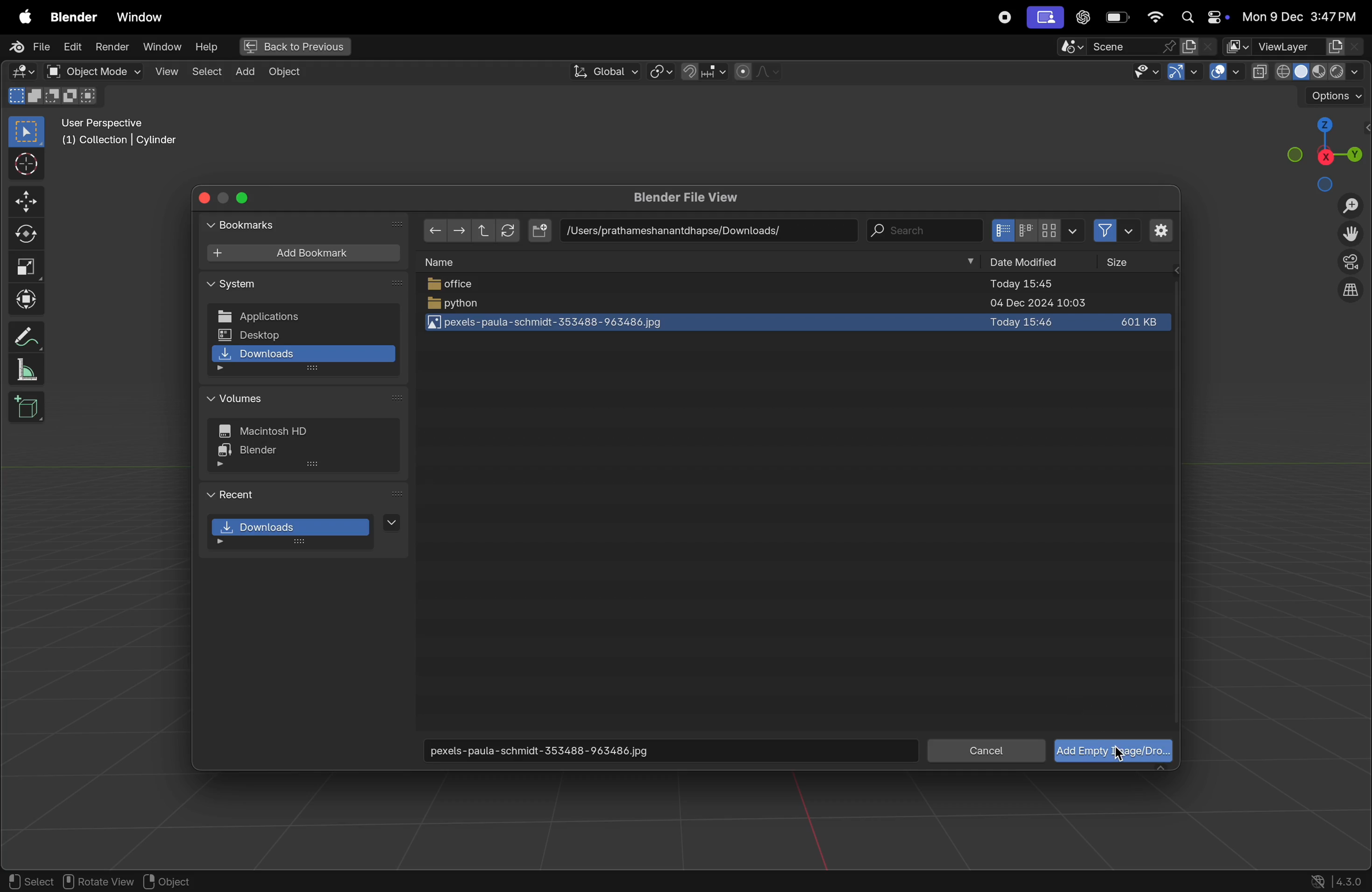  I want to click on perspective, so click(1351, 264).